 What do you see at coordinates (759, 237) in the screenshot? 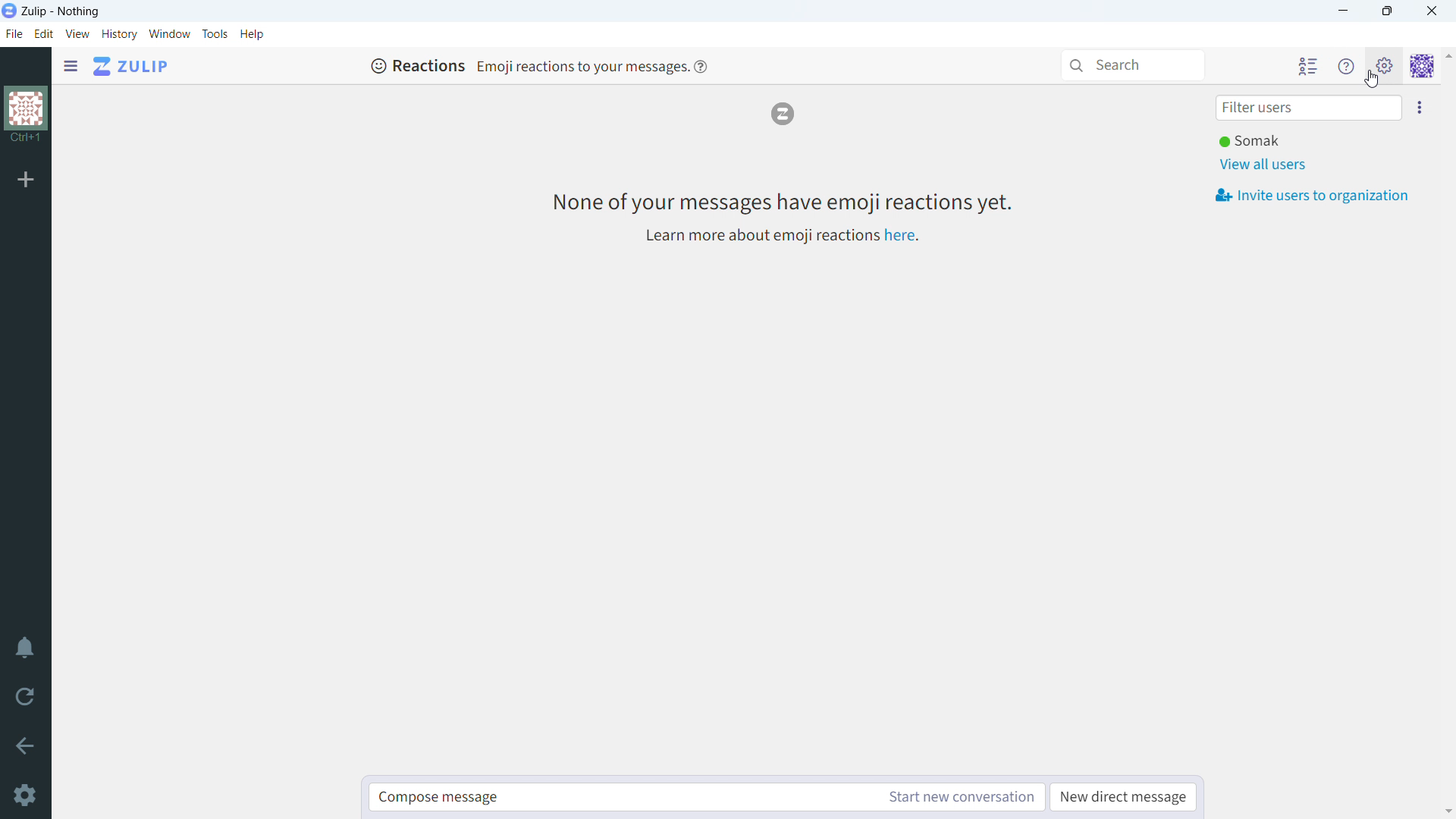
I see `Learn more about emoji reactions` at bounding box center [759, 237].